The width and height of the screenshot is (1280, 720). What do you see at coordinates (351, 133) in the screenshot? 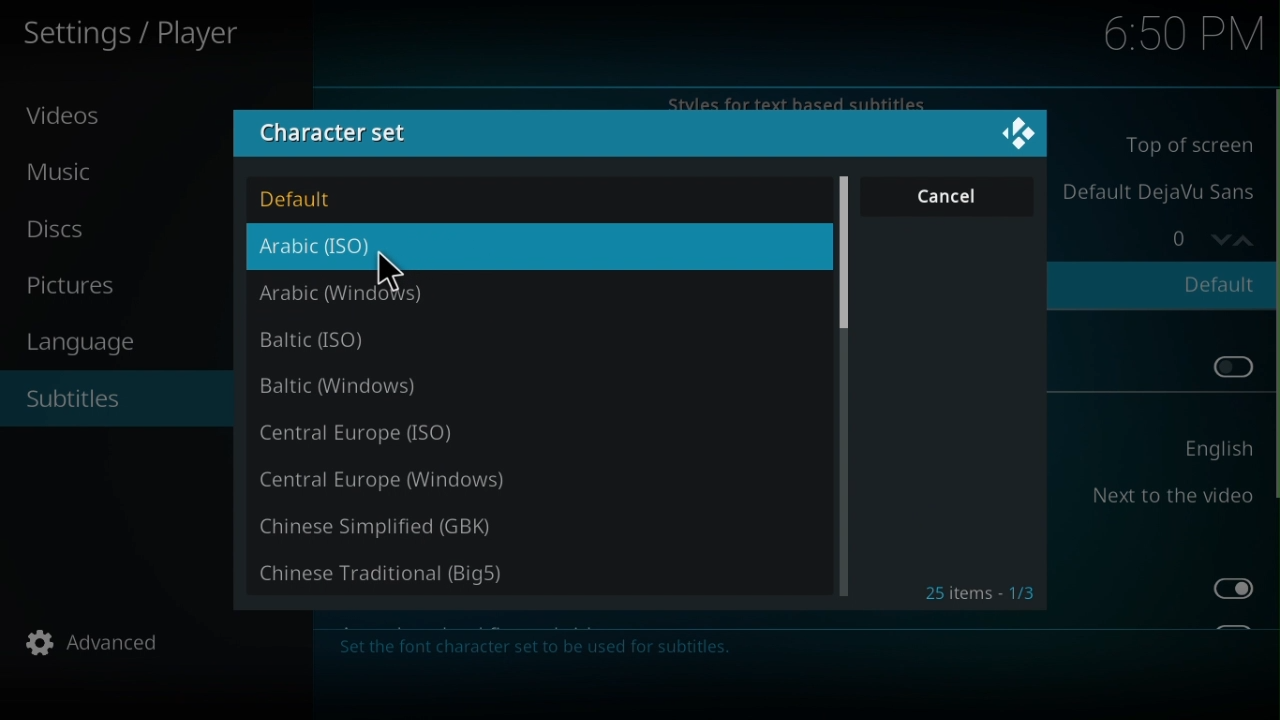
I see `Character set` at bounding box center [351, 133].